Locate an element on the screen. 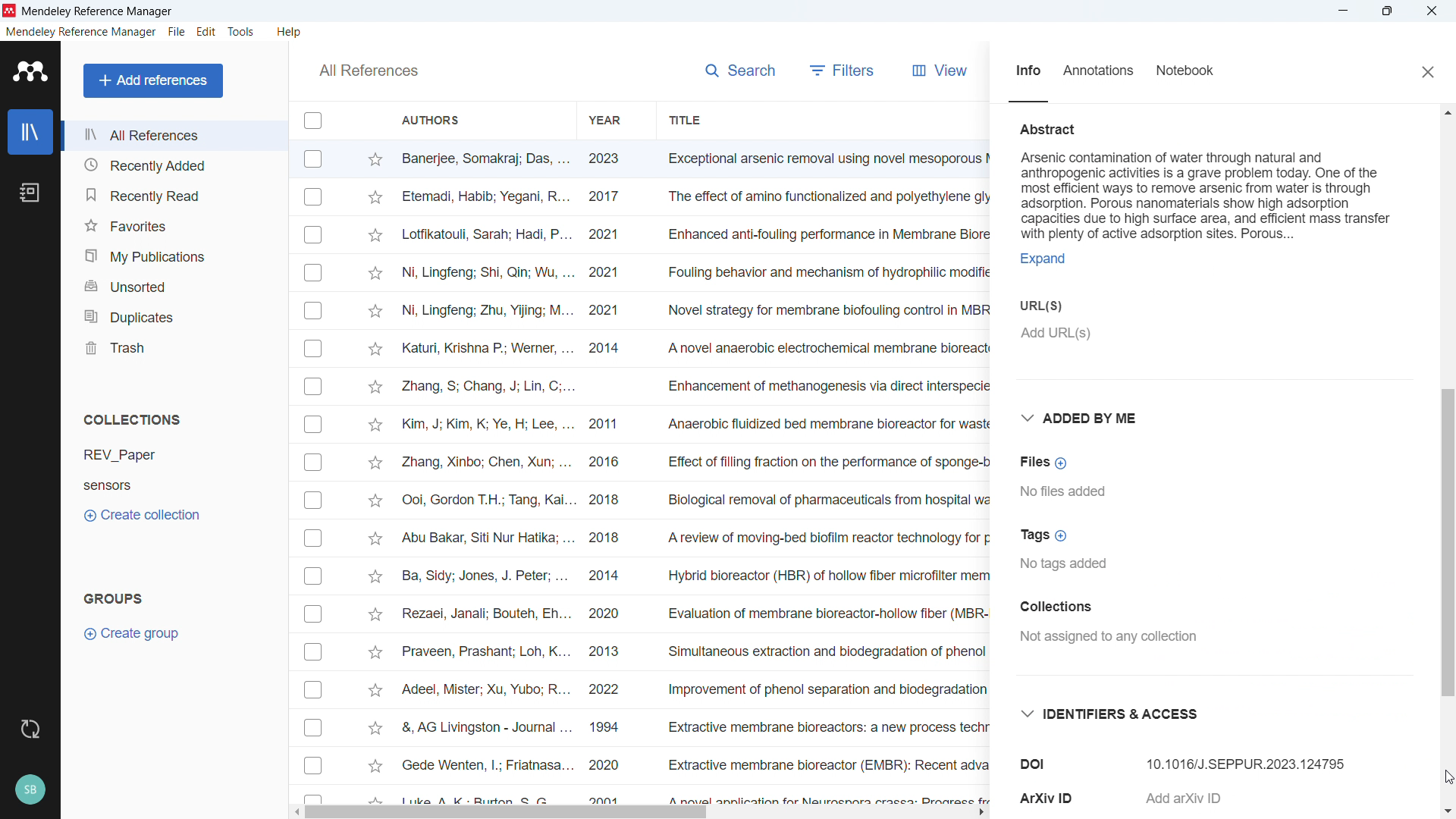 Image resolution: width=1456 pixels, height=819 pixels. katuri,krishna p,werner is located at coordinates (486, 347).